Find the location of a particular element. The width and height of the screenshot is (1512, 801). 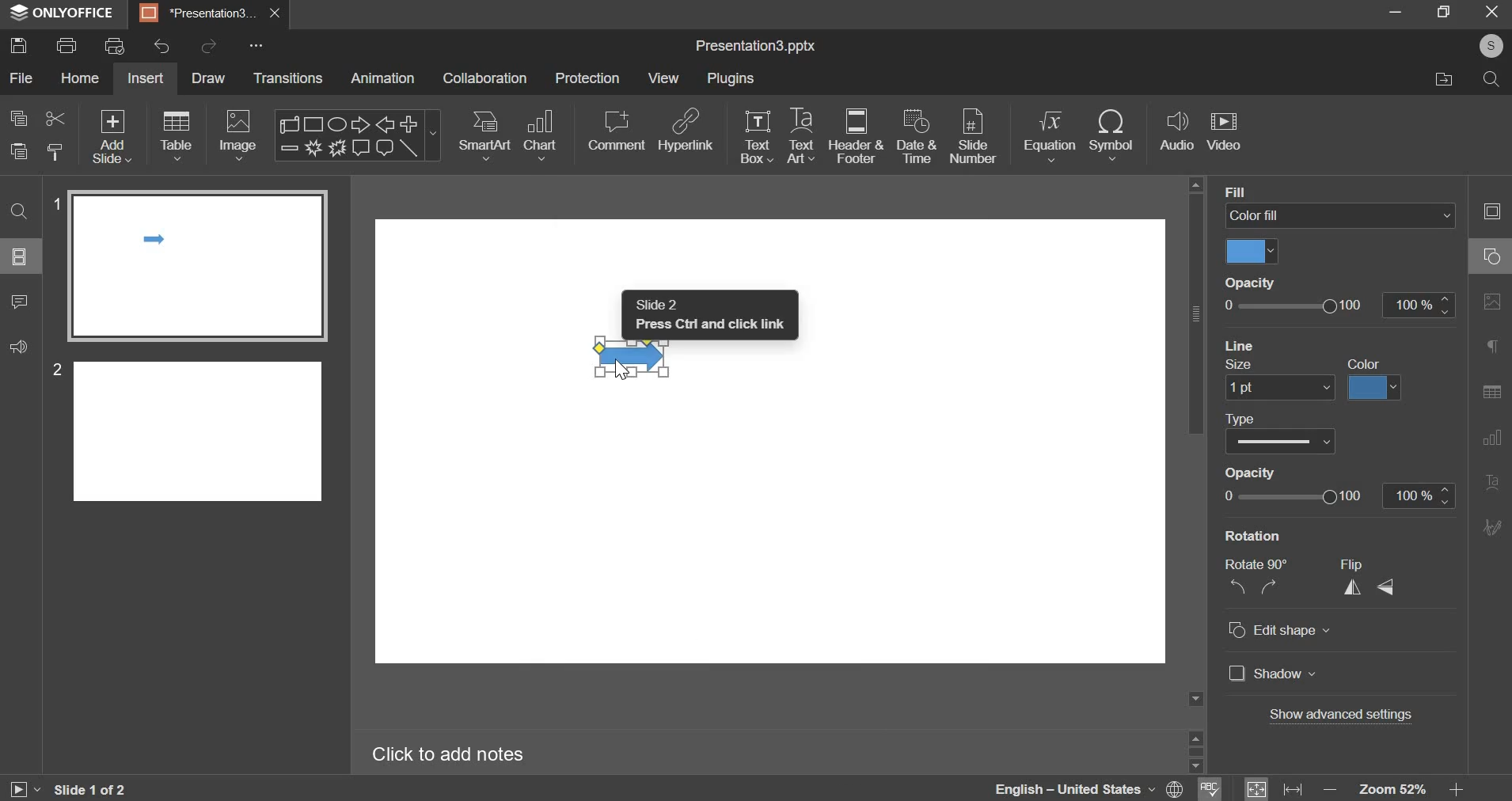

Chart settings is located at coordinates (1492, 438).